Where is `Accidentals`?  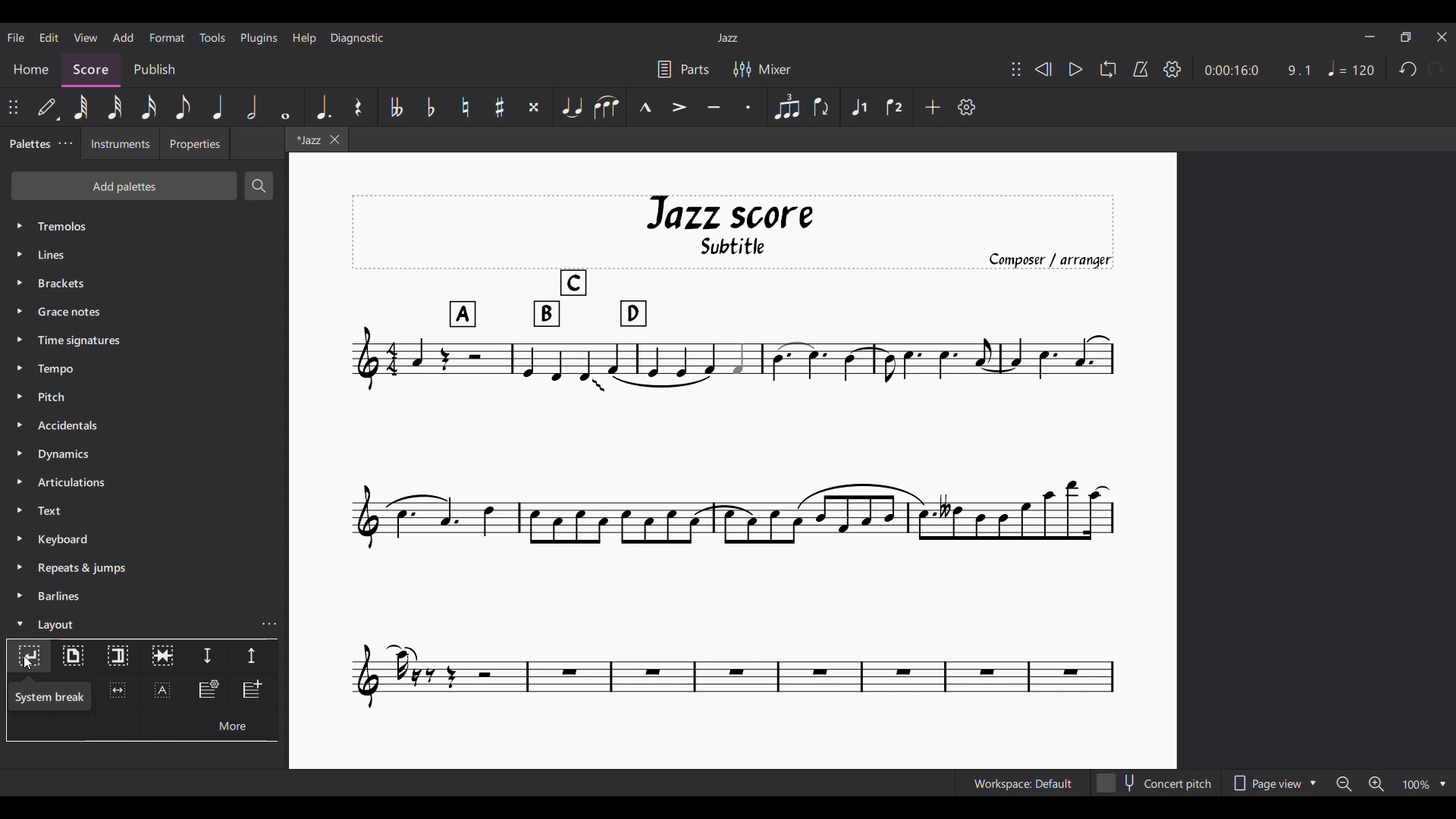 Accidentals is located at coordinates (144, 425).